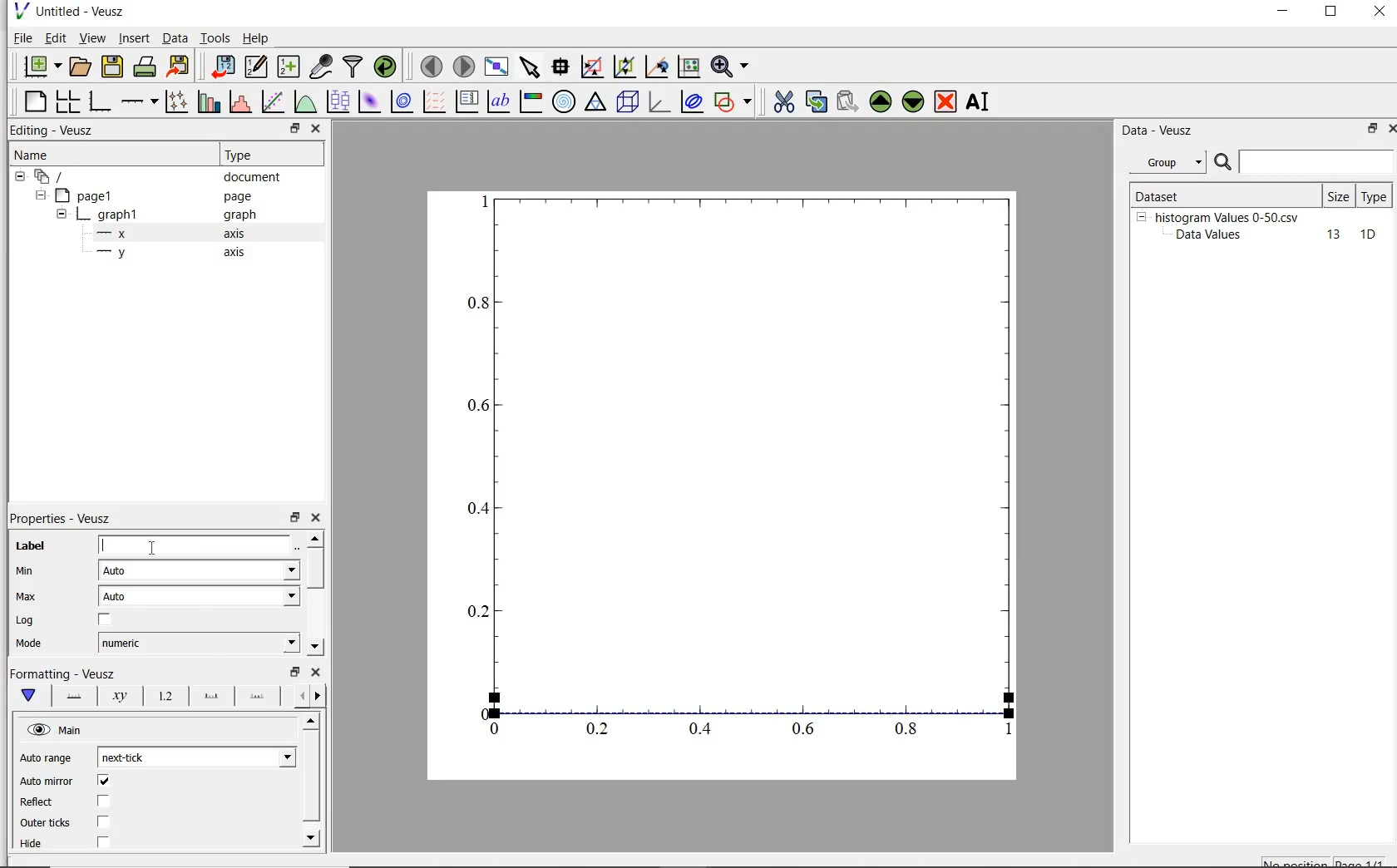  I want to click on blank page, so click(36, 101).